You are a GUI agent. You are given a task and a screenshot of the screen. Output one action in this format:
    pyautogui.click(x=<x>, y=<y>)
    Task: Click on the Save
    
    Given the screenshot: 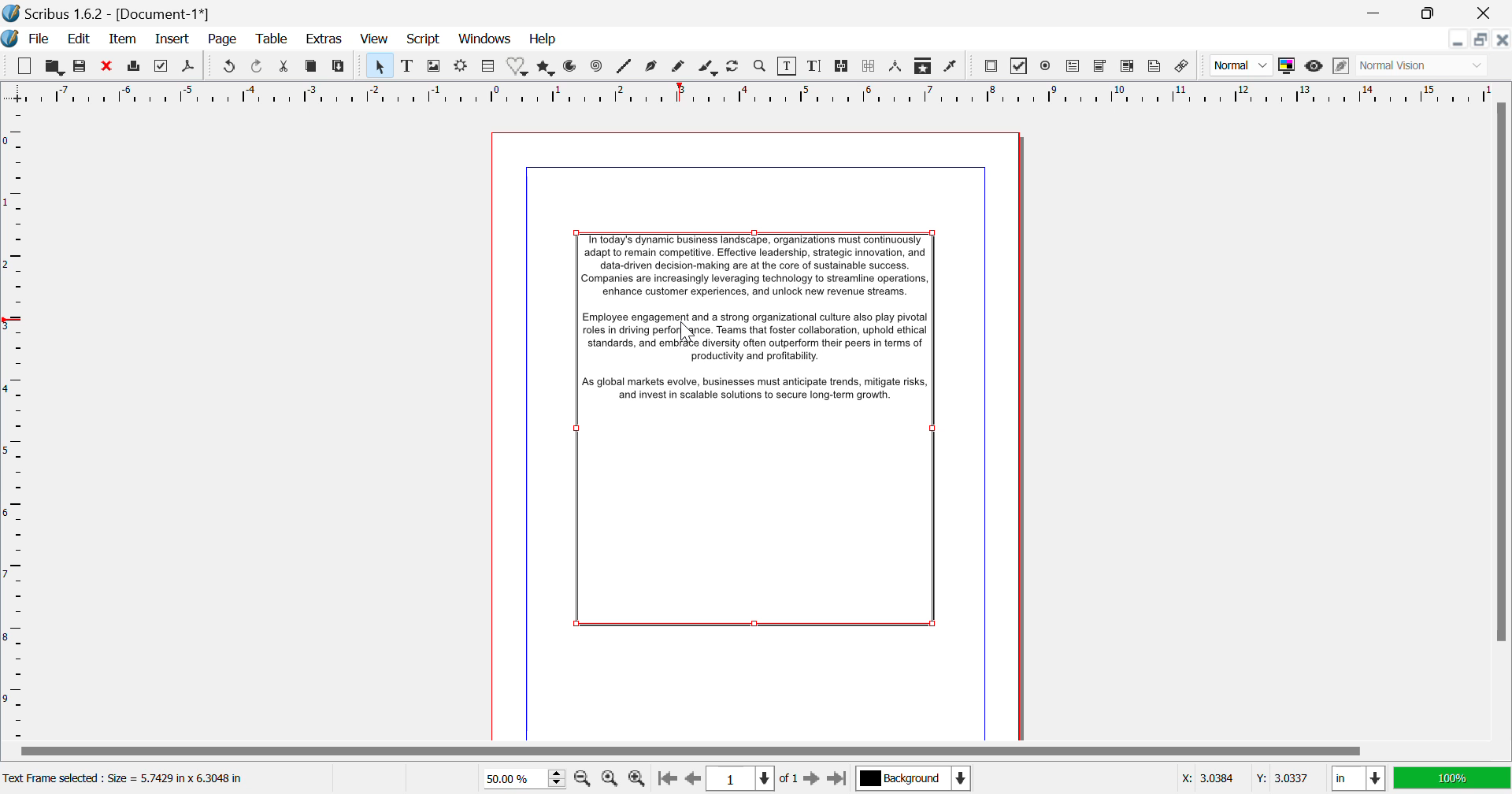 What is the action you would take?
    pyautogui.click(x=82, y=66)
    